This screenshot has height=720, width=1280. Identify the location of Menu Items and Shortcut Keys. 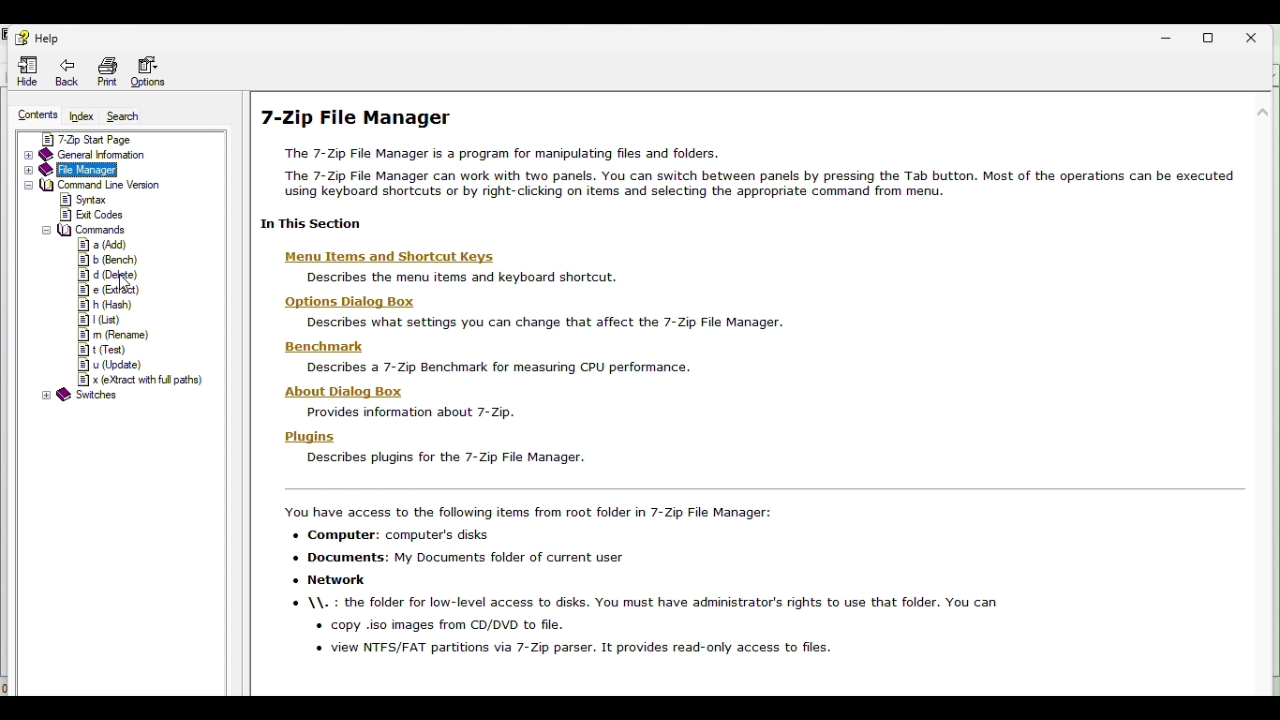
(381, 257).